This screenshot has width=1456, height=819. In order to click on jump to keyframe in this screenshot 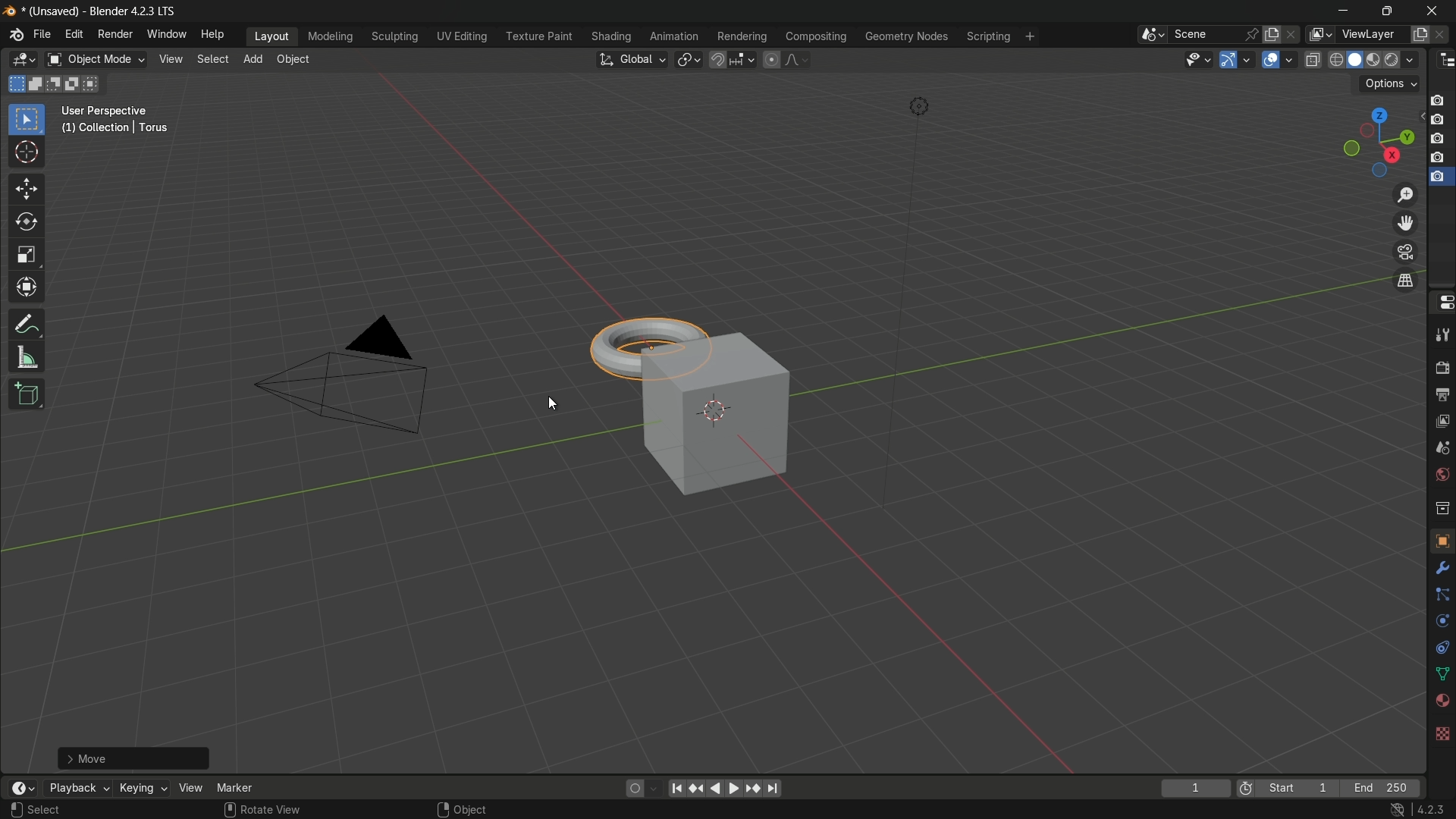, I will do `click(755, 789)`.